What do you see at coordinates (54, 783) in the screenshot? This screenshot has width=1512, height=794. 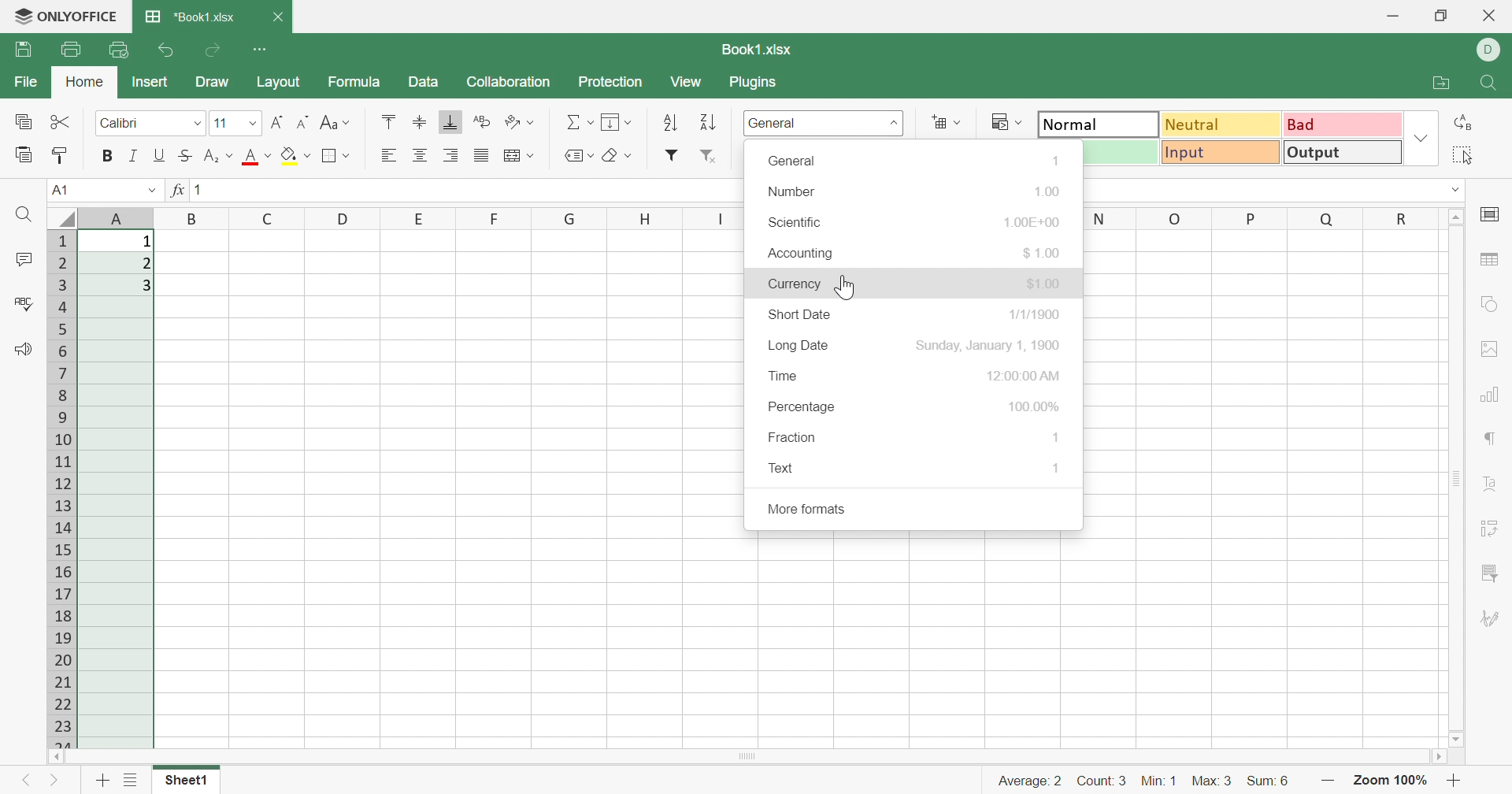 I see `Next` at bounding box center [54, 783].